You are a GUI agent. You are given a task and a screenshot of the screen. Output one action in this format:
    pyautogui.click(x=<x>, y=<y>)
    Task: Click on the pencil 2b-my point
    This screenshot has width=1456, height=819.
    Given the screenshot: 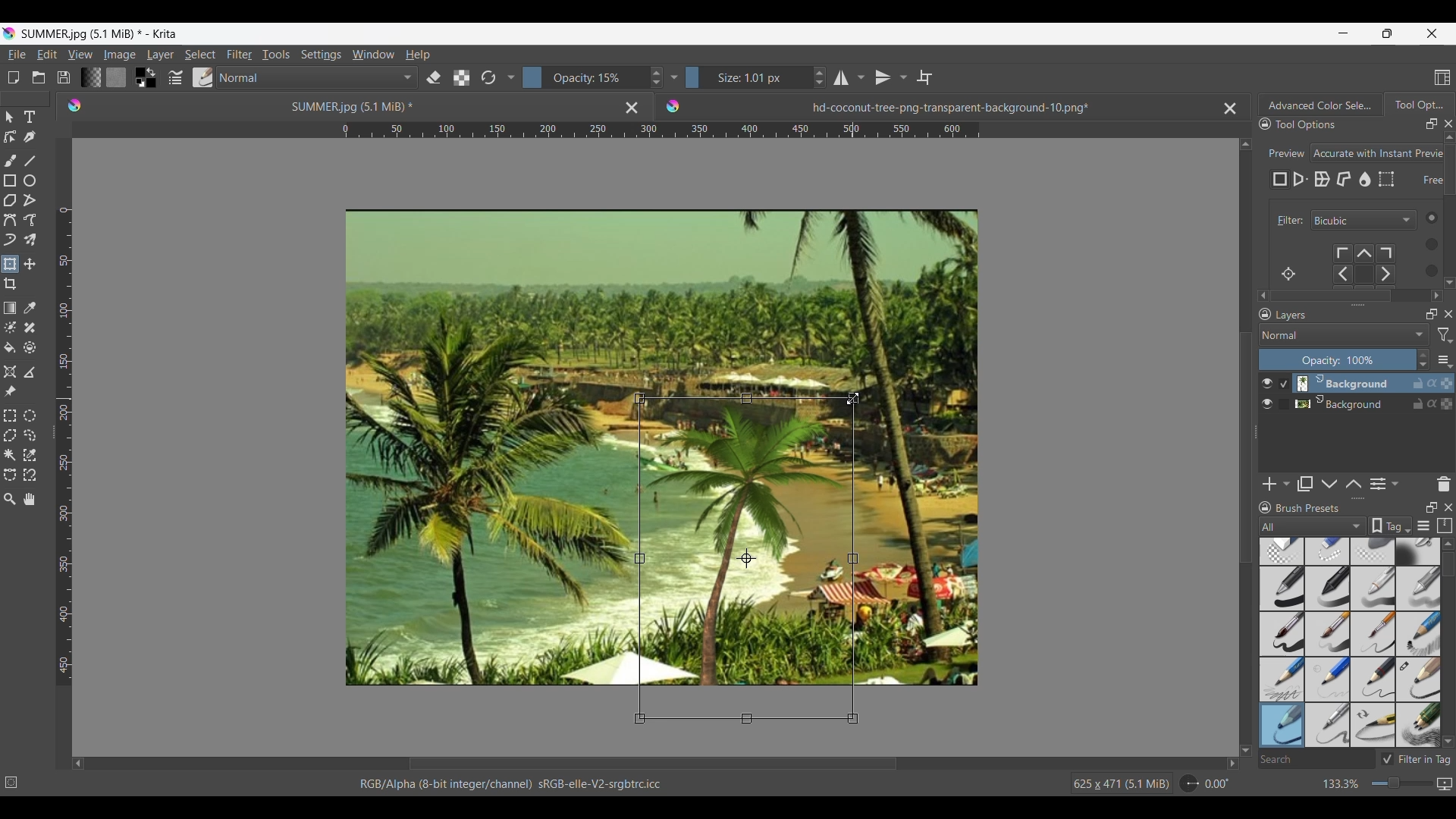 What is the action you would take?
    pyautogui.click(x=1280, y=678)
    